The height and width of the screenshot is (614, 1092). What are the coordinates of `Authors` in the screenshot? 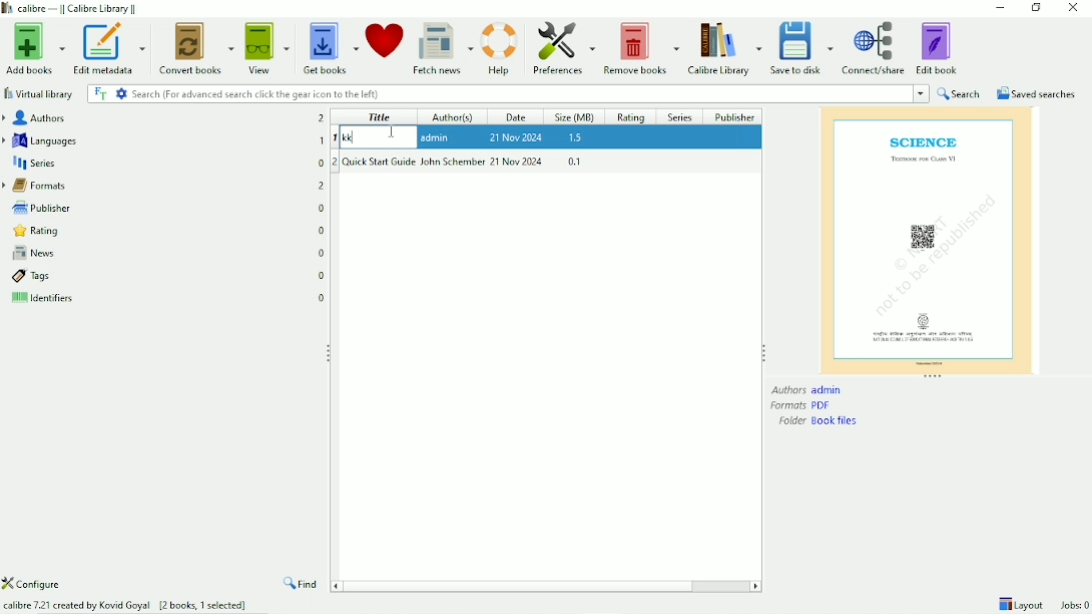 It's located at (36, 118).